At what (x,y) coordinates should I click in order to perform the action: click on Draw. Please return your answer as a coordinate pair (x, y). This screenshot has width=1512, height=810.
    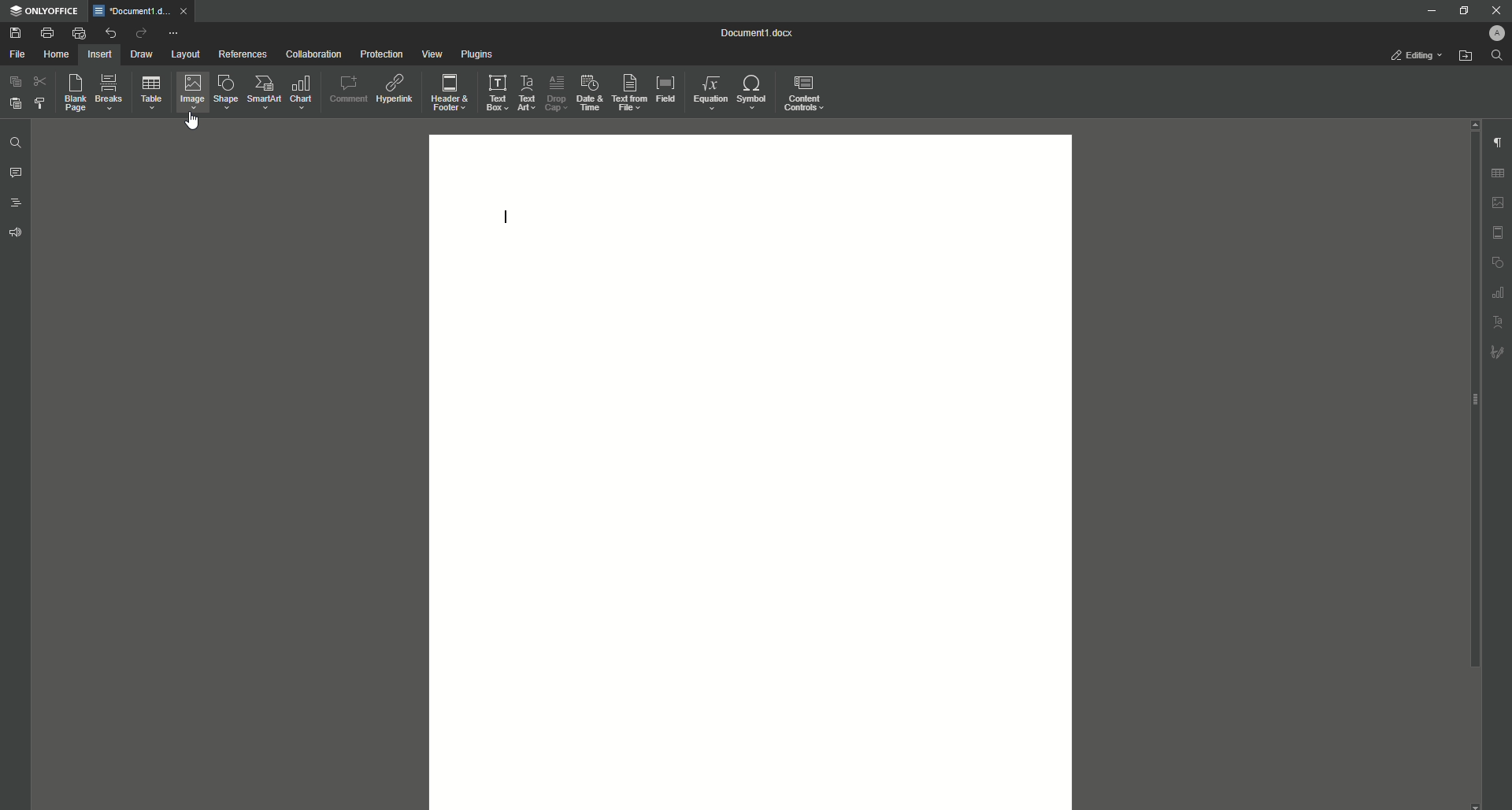
    Looking at the image, I should click on (142, 55).